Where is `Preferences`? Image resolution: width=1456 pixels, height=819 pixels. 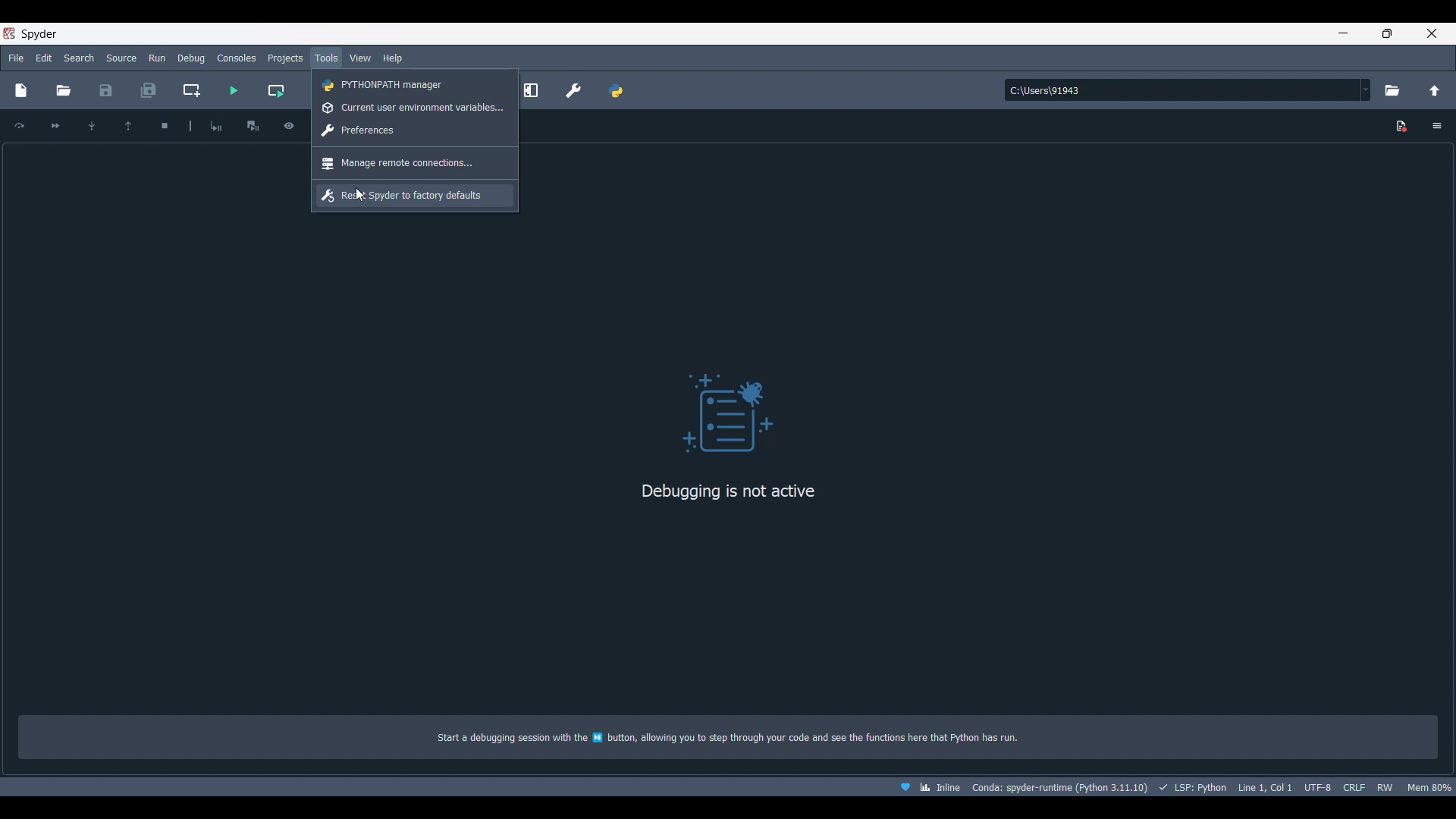
Preferences is located at coordinates (573, 90).